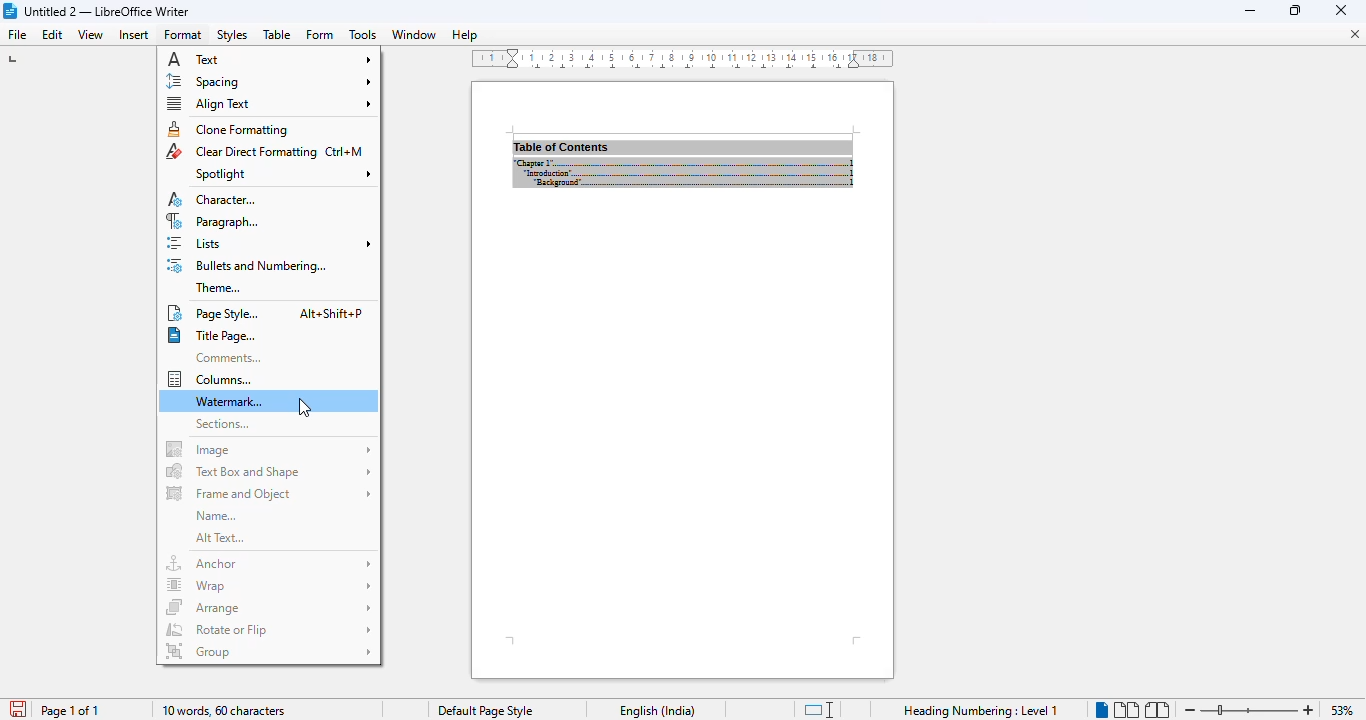 This screenshot has height=720, width=1366. What do you see at coordinates (277, 34) in the screenshot?
I see `table` at bounding box center [277, 34].